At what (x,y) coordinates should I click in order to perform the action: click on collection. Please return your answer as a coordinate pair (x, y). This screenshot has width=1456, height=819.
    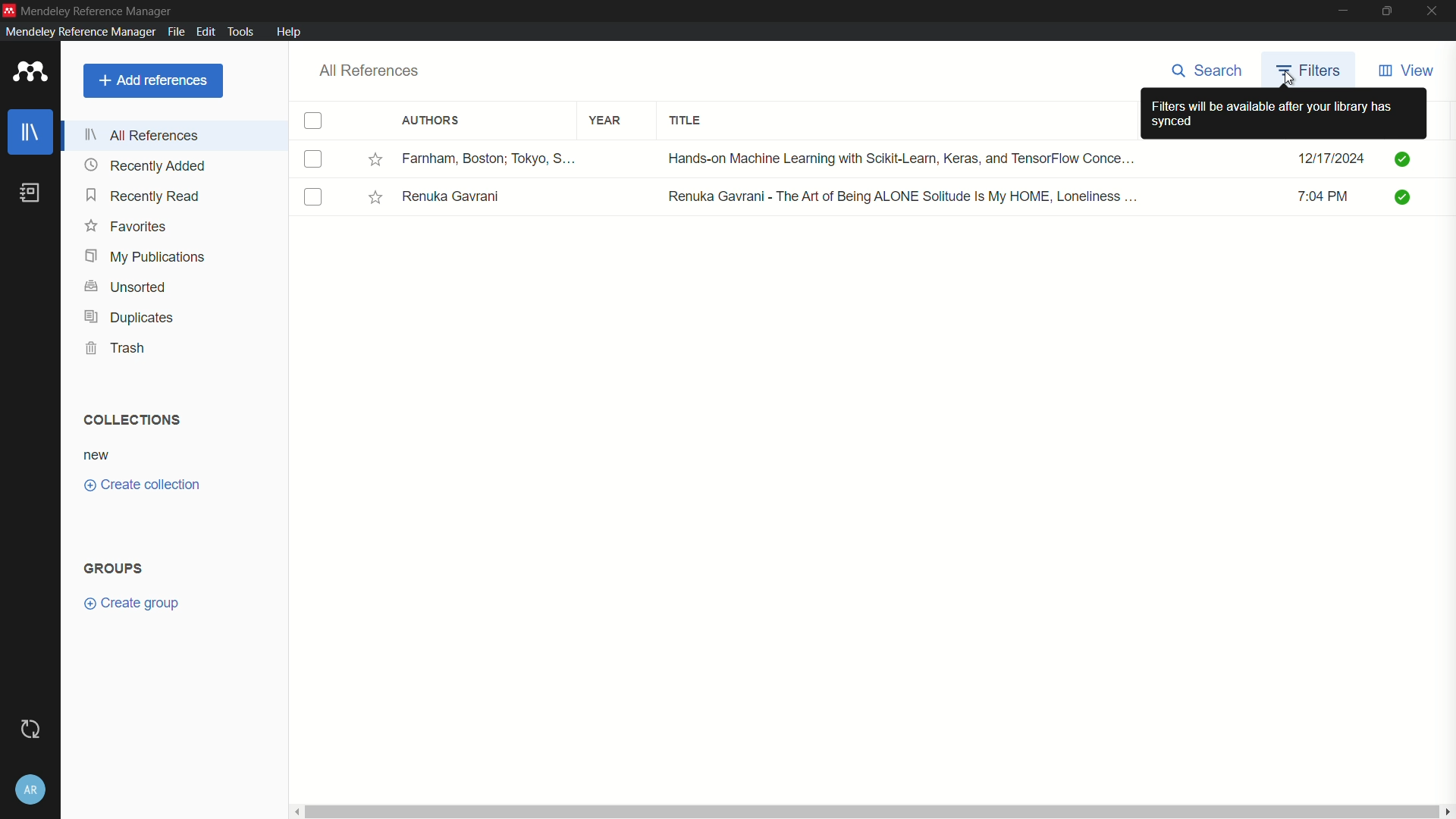
    Looking at the image, I should click on (130, 420).